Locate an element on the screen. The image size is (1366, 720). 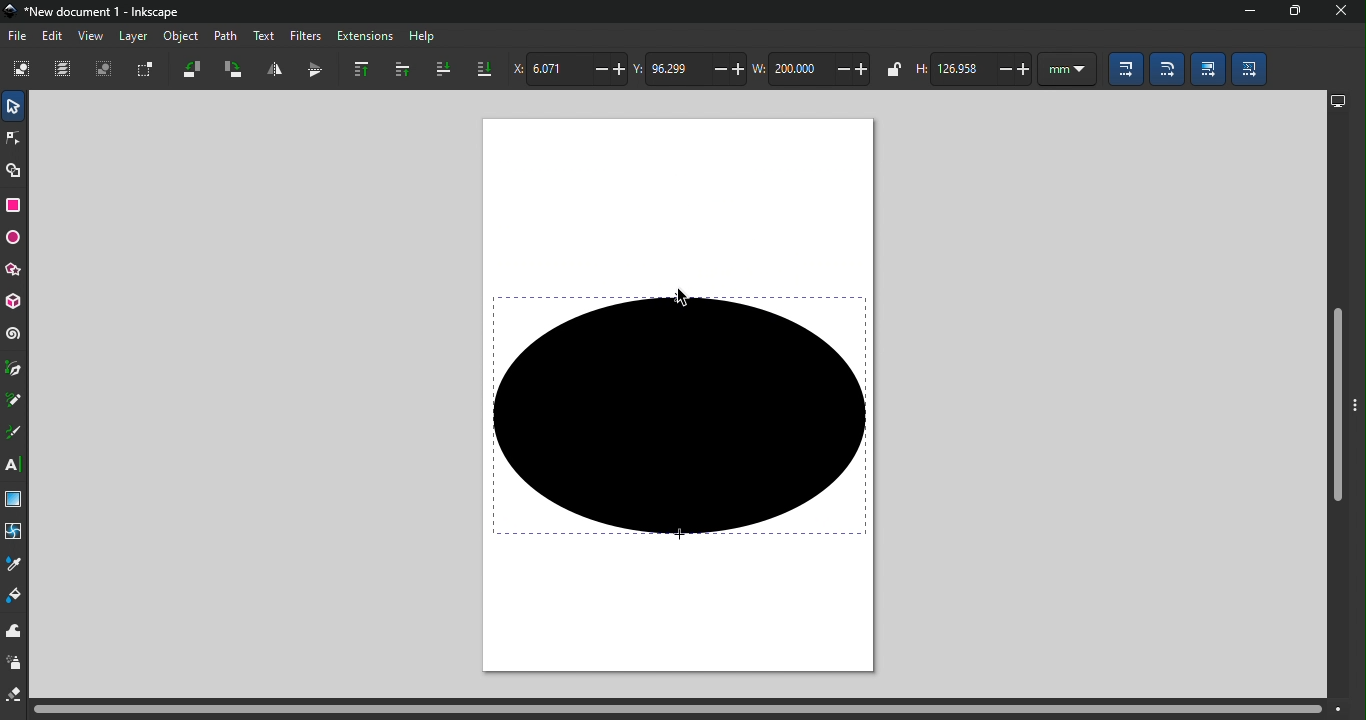
Gradient is located at coordinates (14, 499).